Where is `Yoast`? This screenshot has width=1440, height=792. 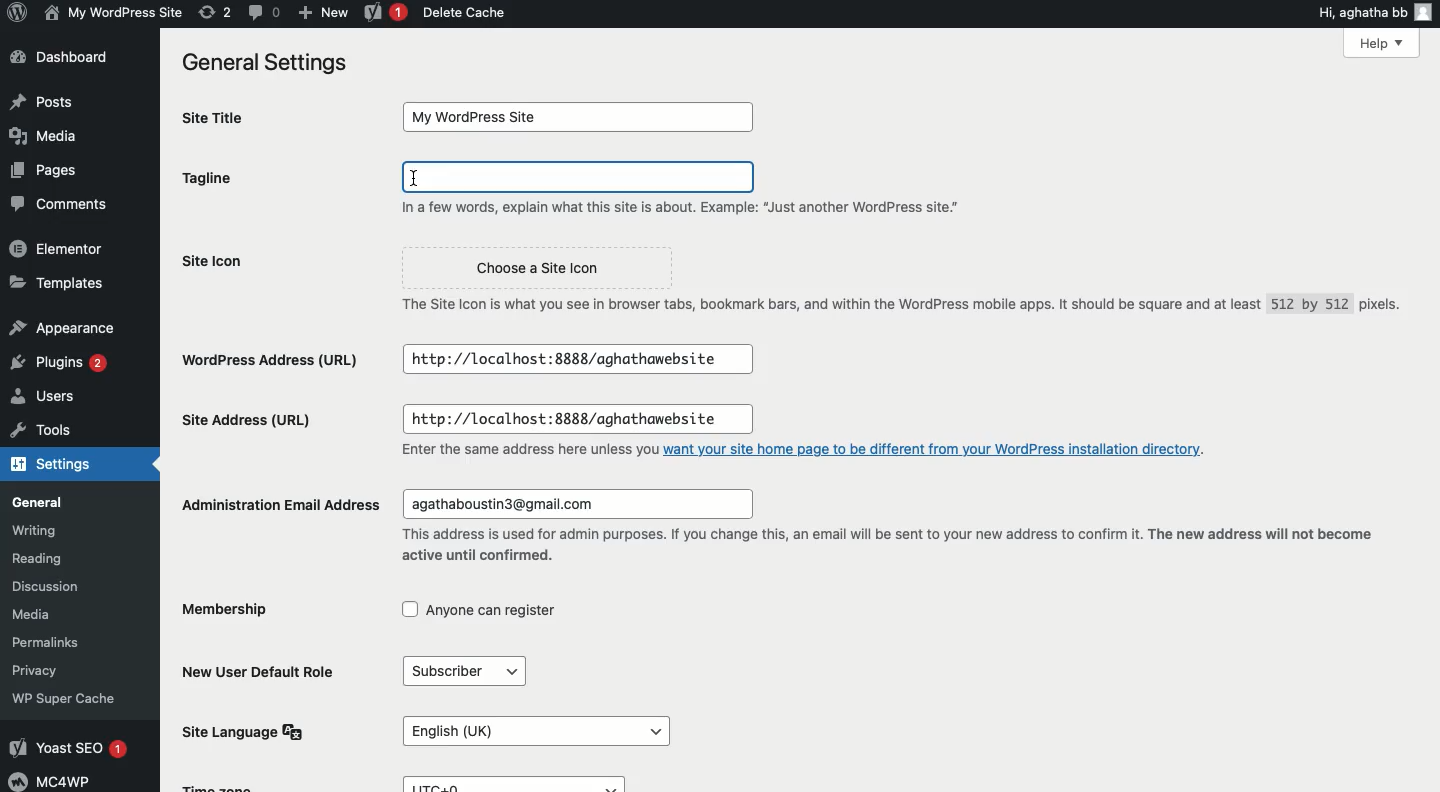 Yoast is located at coordinates (382, 14).